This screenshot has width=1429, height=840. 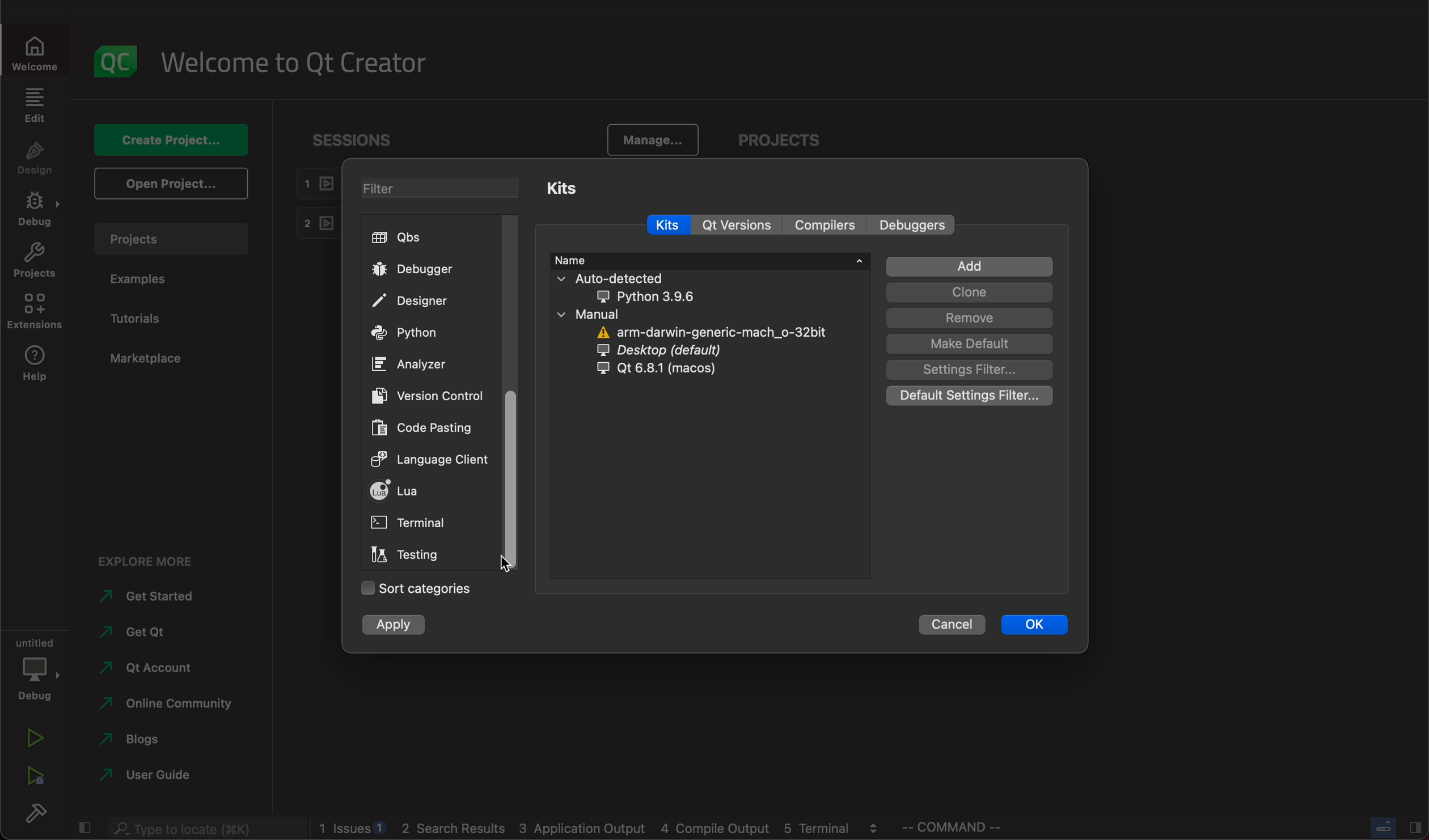 I want to click on blogs, so click(x=164, y=740).